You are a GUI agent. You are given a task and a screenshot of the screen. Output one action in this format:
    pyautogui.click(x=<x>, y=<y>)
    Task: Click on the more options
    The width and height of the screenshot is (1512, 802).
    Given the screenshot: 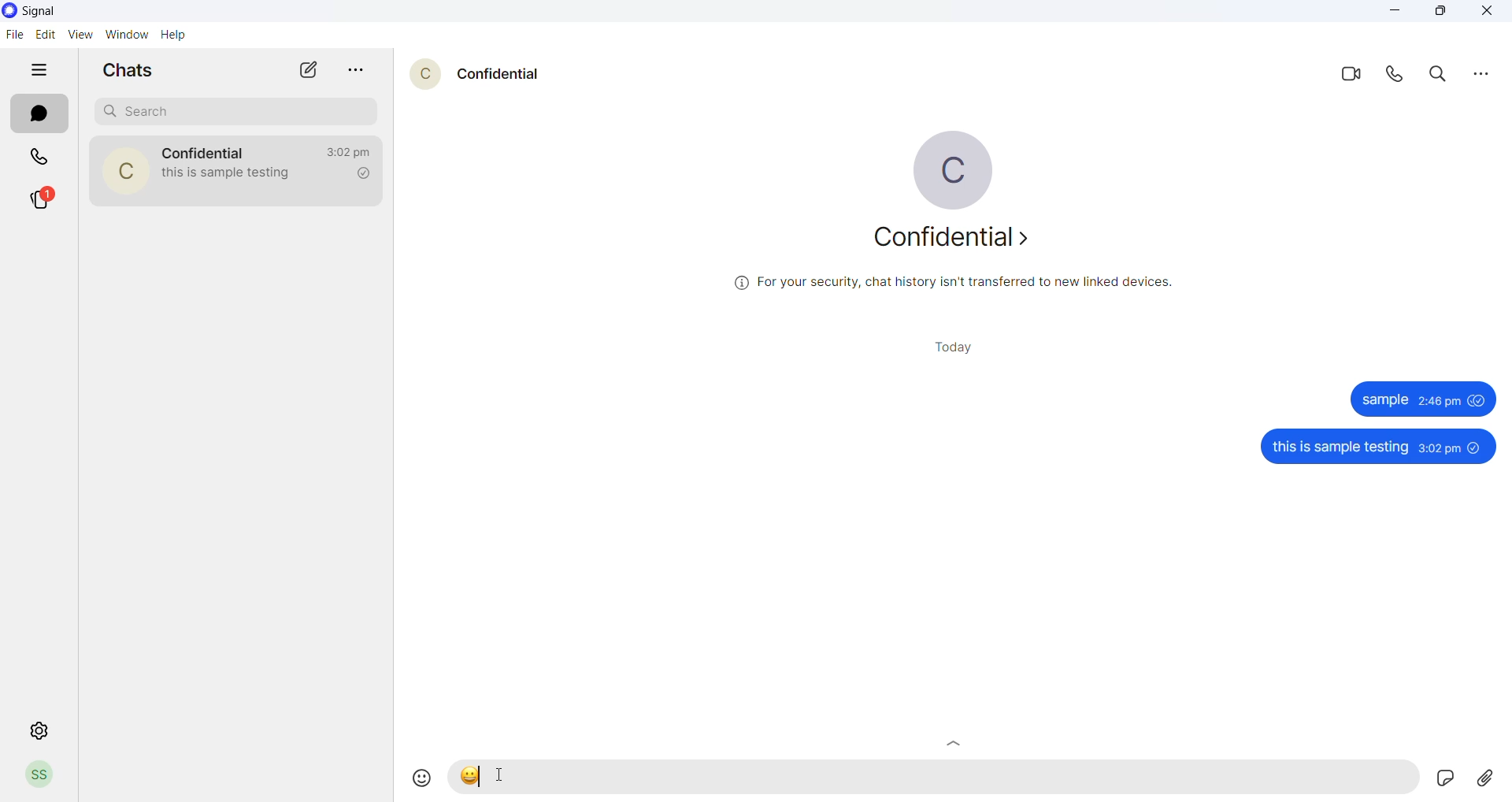 What is the action you would take?
    pyautogui.click(x=358, y=70)
    